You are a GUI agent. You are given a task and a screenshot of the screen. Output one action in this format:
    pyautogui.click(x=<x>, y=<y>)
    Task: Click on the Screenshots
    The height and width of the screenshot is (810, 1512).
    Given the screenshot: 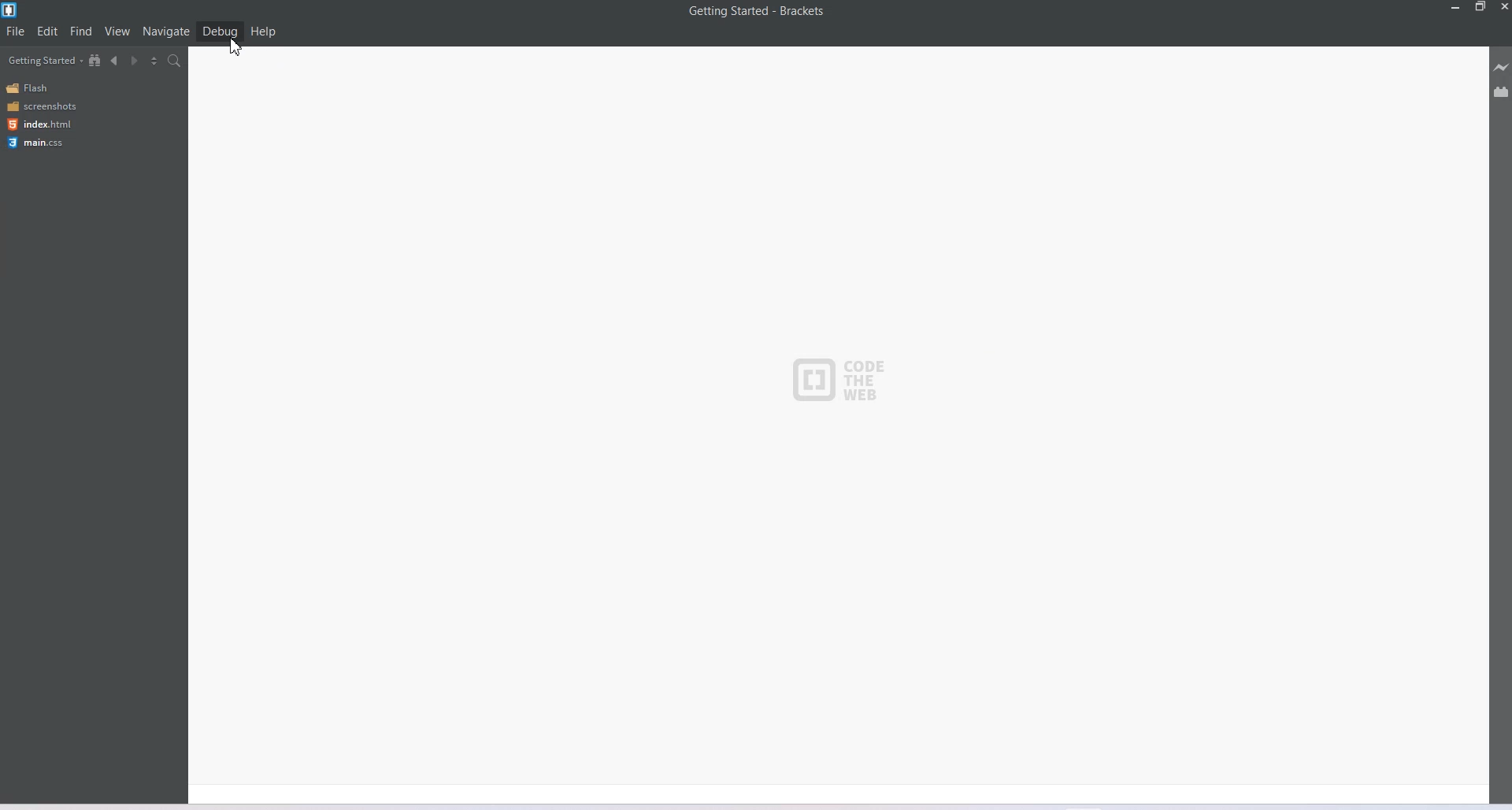 What is the action you would take?
    pyautogui.click(x=41, y=106)
    